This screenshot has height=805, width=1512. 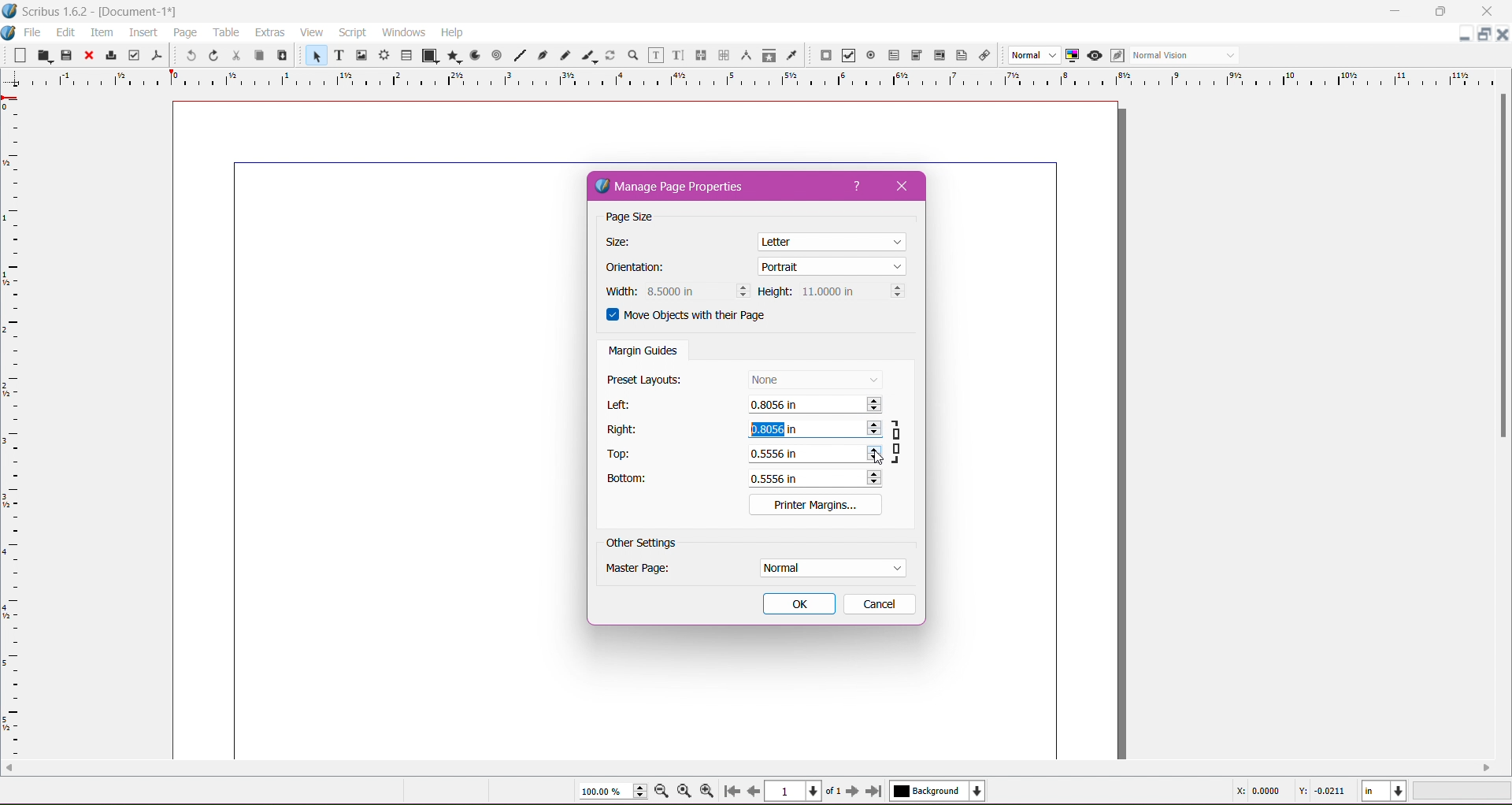 What do you see at coordinates (610, 55) in the screenshot?
I see `Rotate Item` at bounding box center [610, 55].